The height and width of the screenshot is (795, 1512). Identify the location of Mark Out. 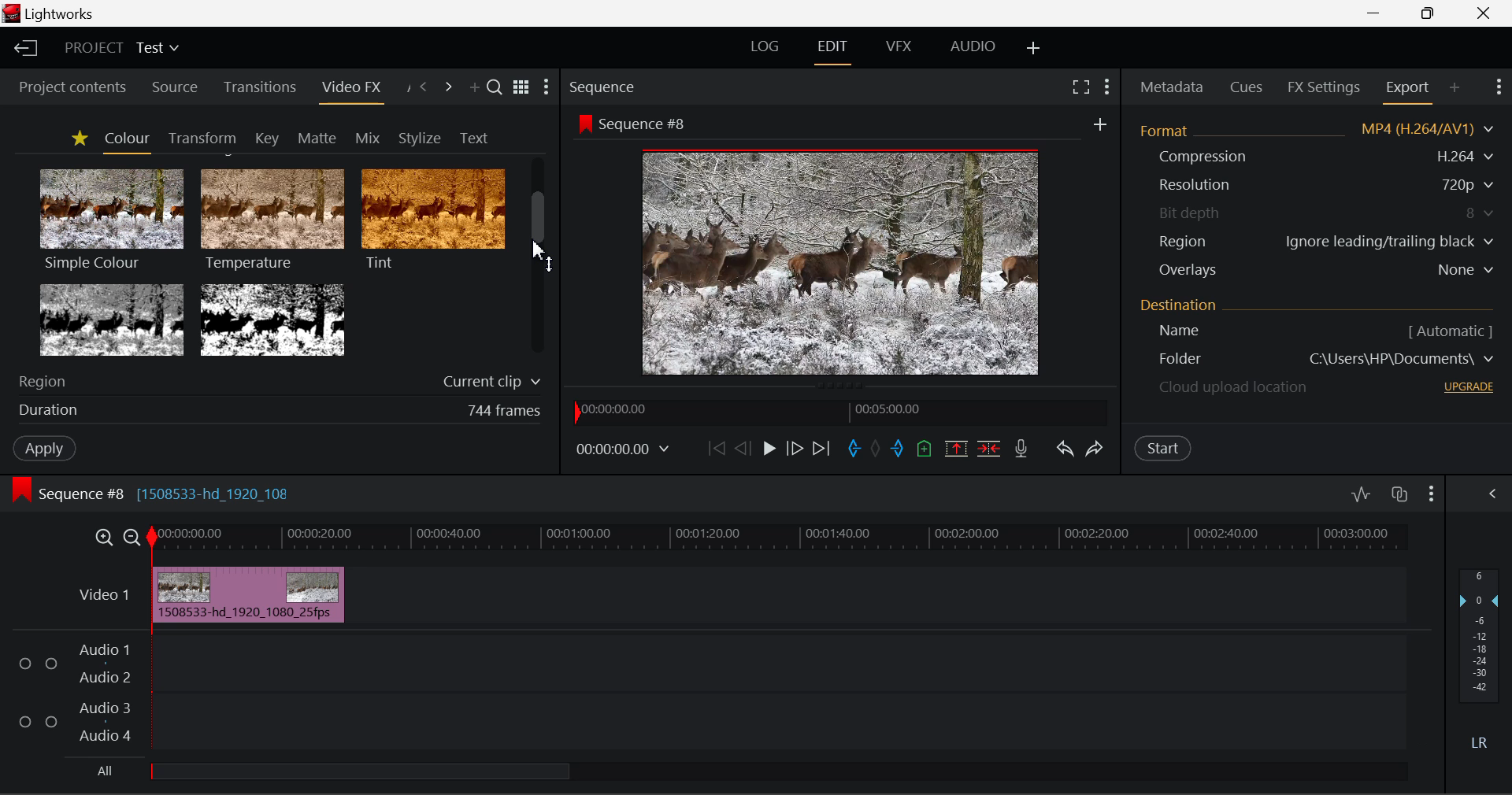
(898, 452).